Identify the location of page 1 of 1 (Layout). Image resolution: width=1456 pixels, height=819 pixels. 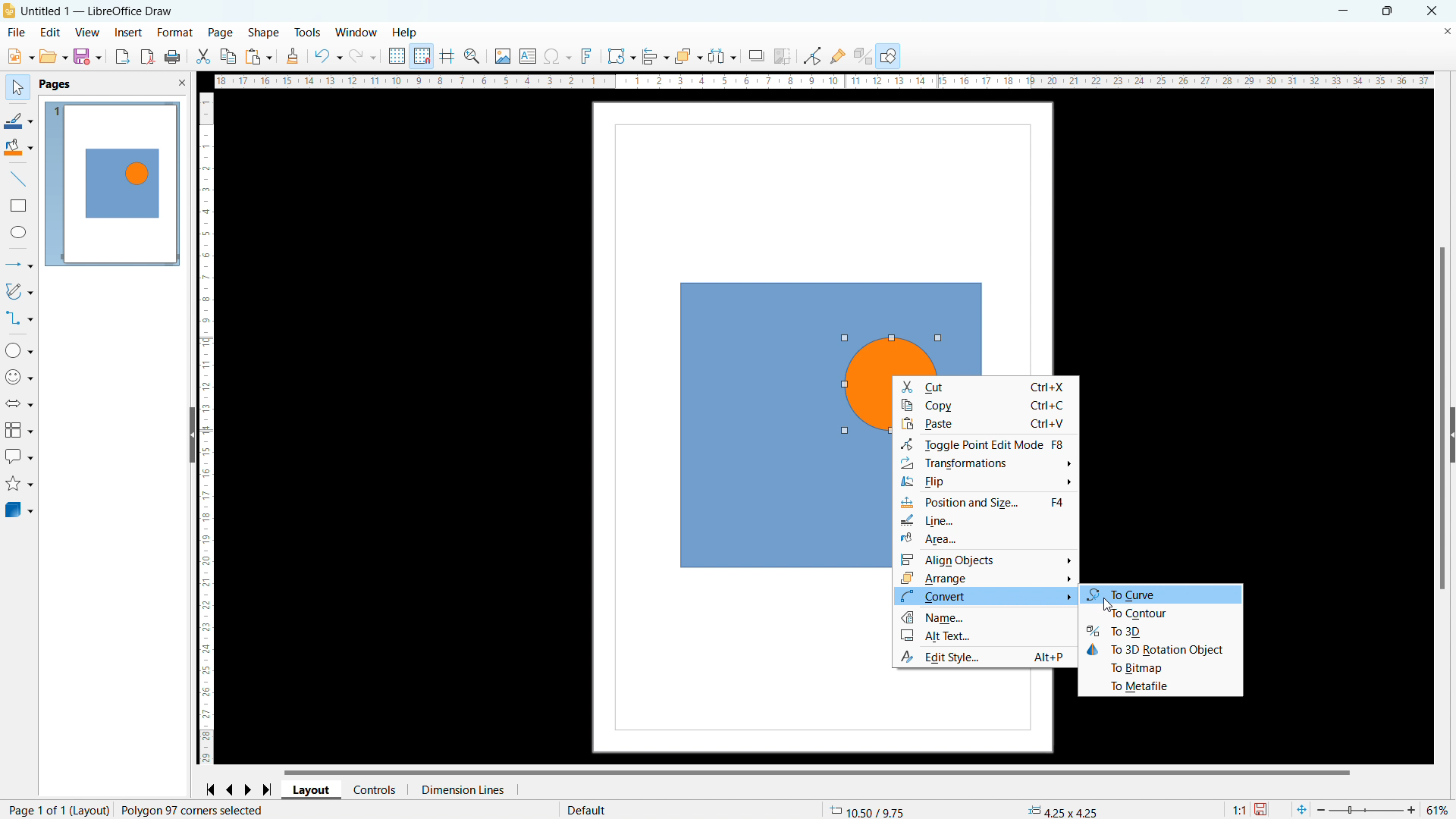
(59, 808).